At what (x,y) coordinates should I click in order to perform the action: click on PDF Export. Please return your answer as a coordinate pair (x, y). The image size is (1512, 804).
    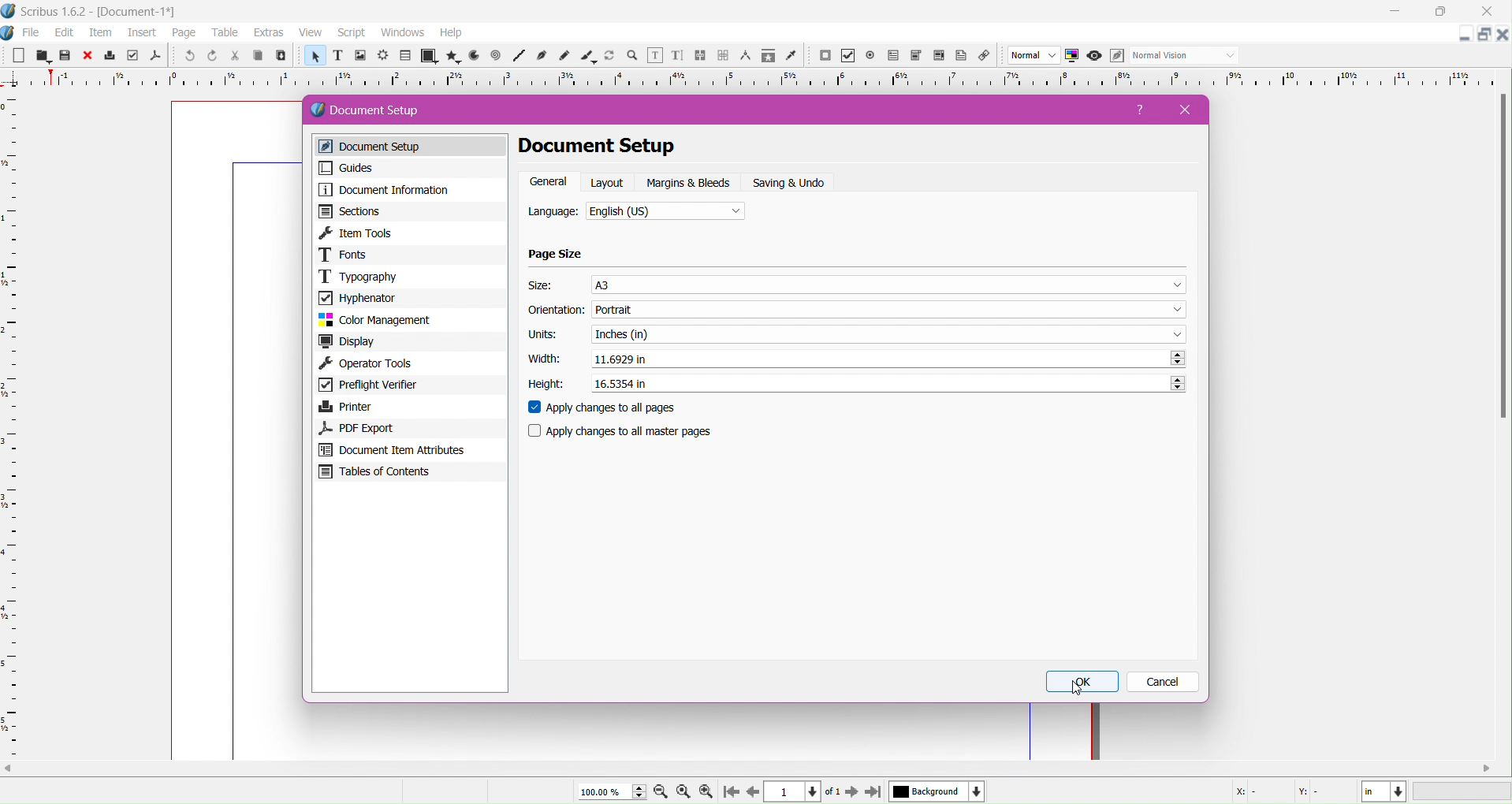
    Looking at the image, I should click on (407, 428).